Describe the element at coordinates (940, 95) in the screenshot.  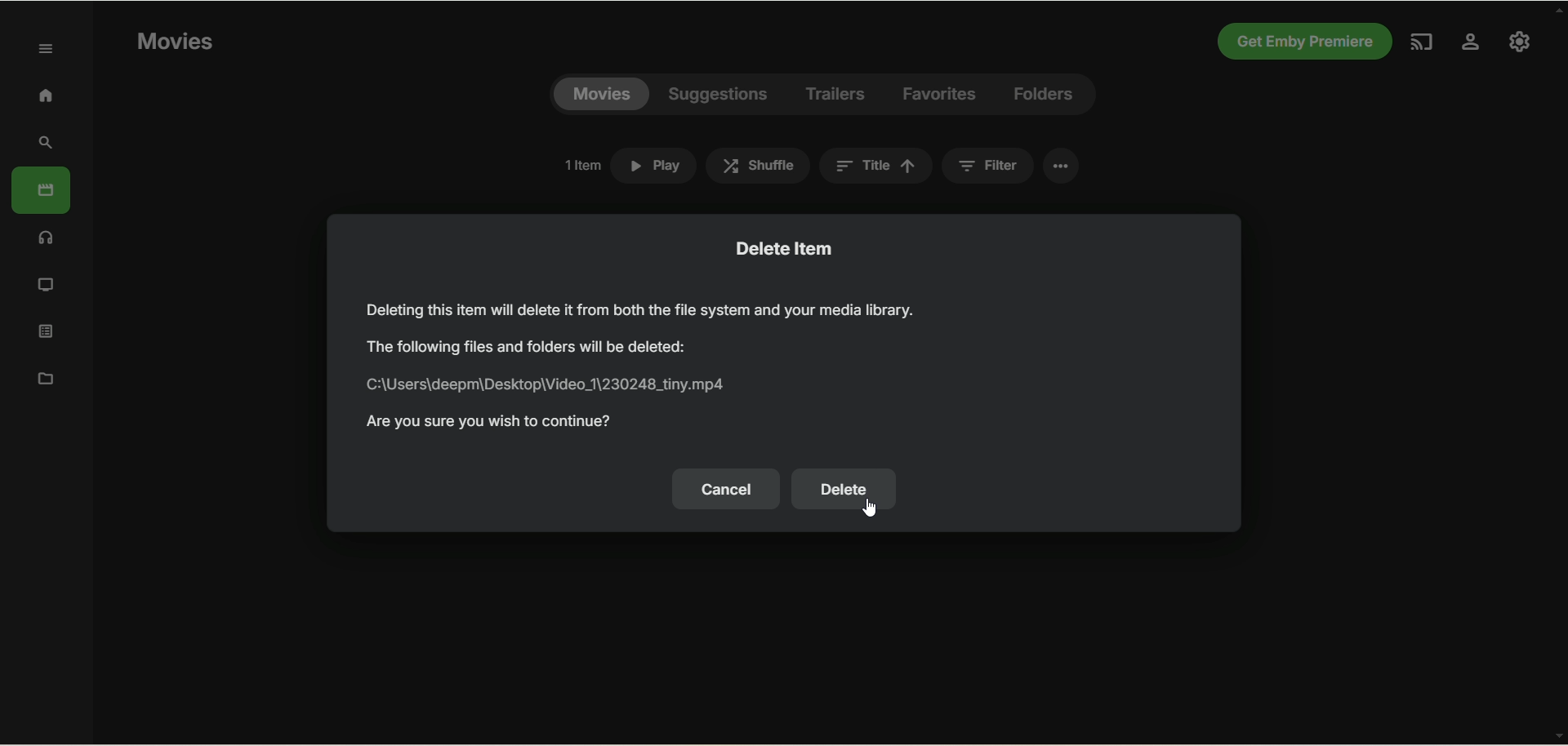
I see `favorites` at that location.